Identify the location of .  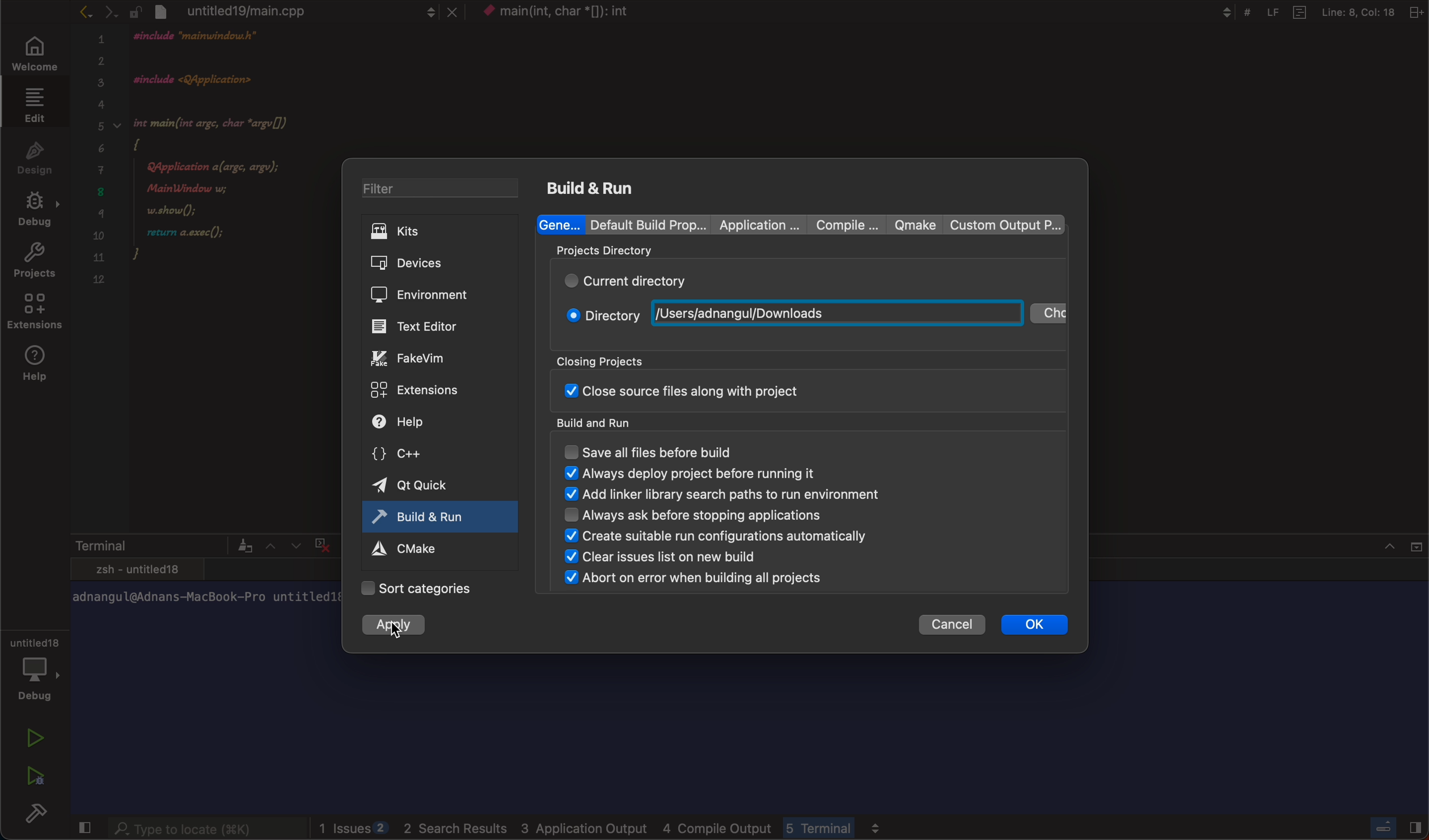
(1313, 11).